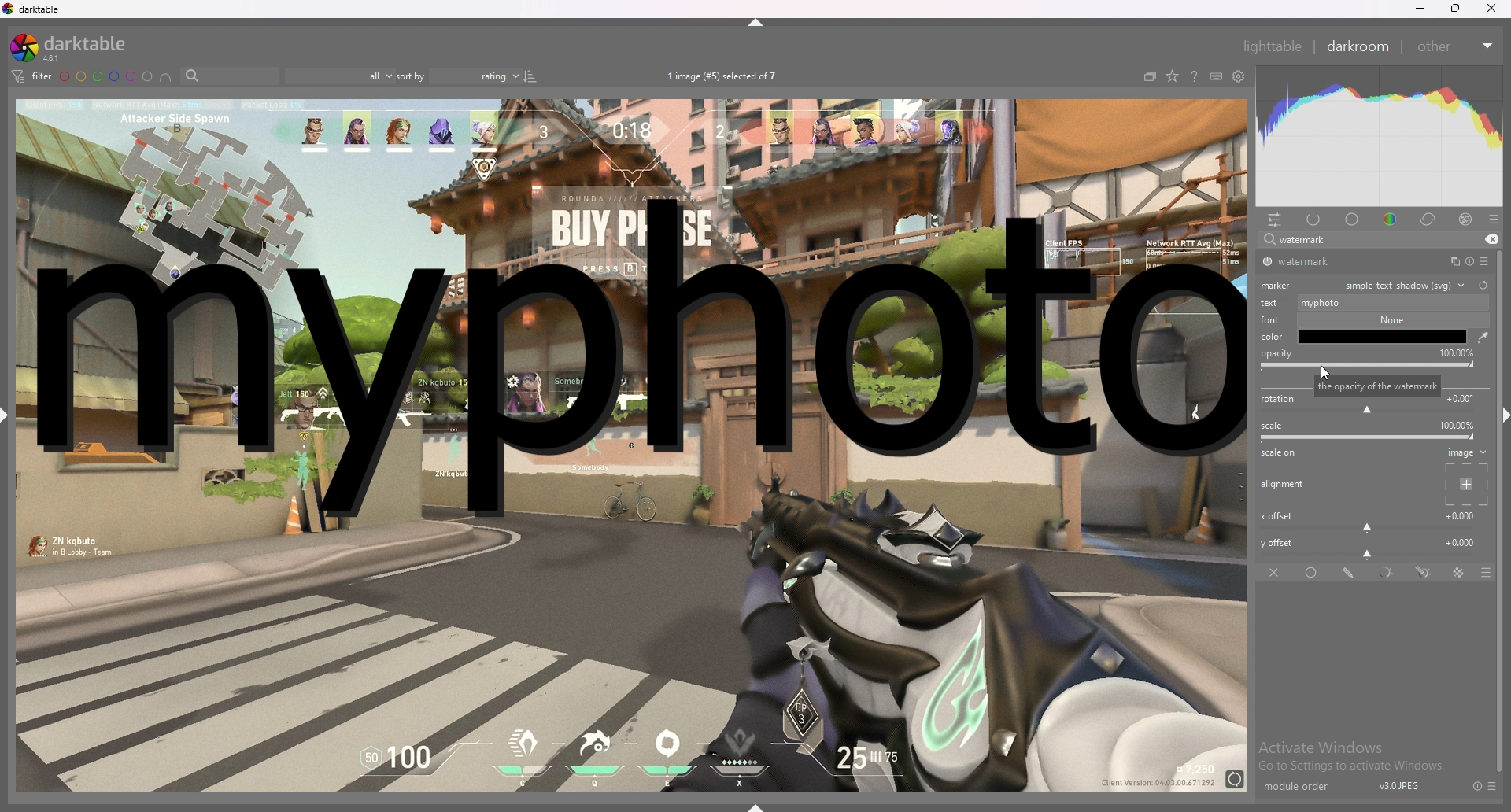  Describe the element at coordinates (630, 661) in the screenshot. I see `photo` at that location.